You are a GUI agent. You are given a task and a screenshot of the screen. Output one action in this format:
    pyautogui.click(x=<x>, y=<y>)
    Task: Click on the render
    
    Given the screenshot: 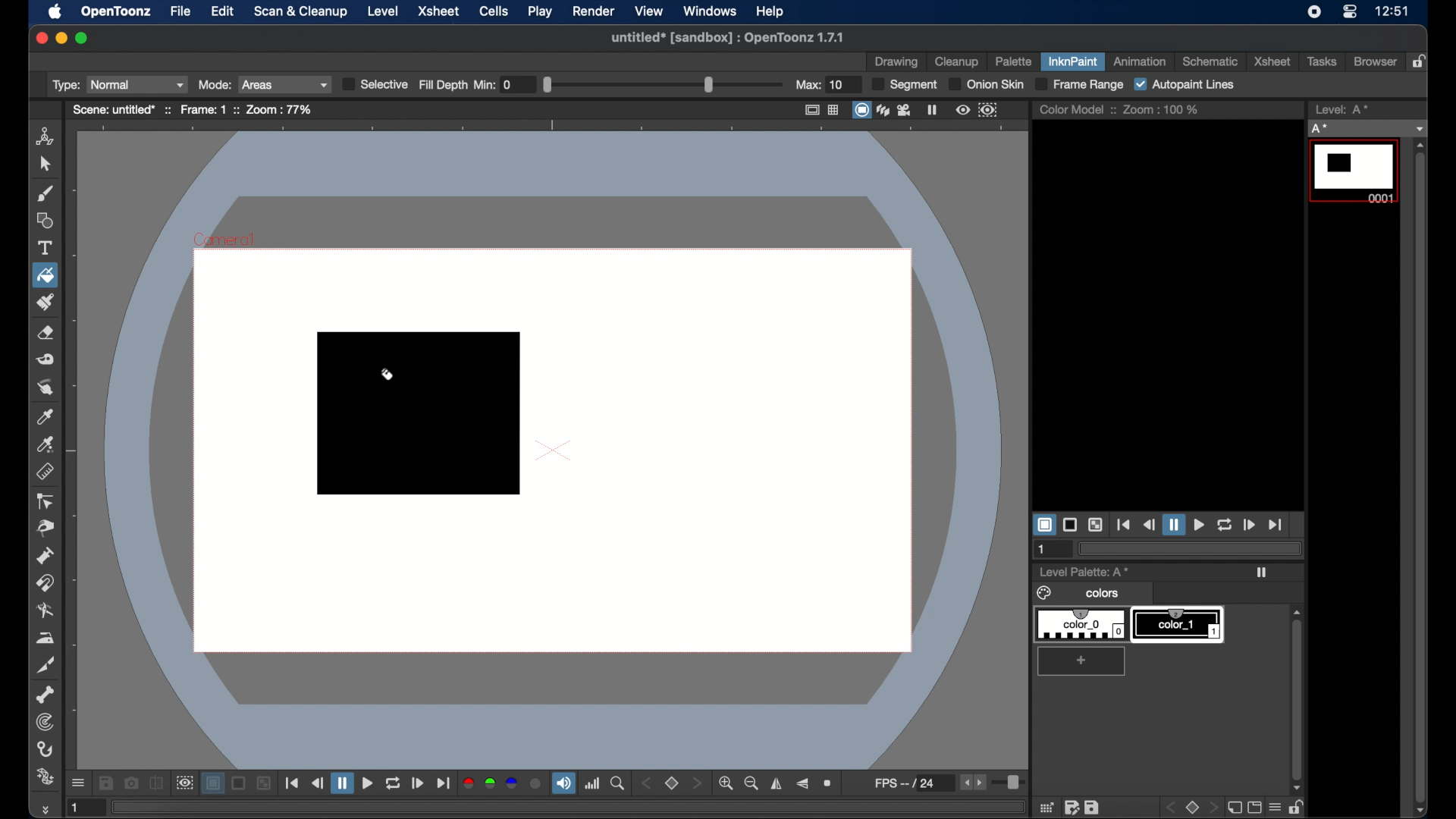 What is the action you would take?
    pyautogui.click(x=593, y=11)
    